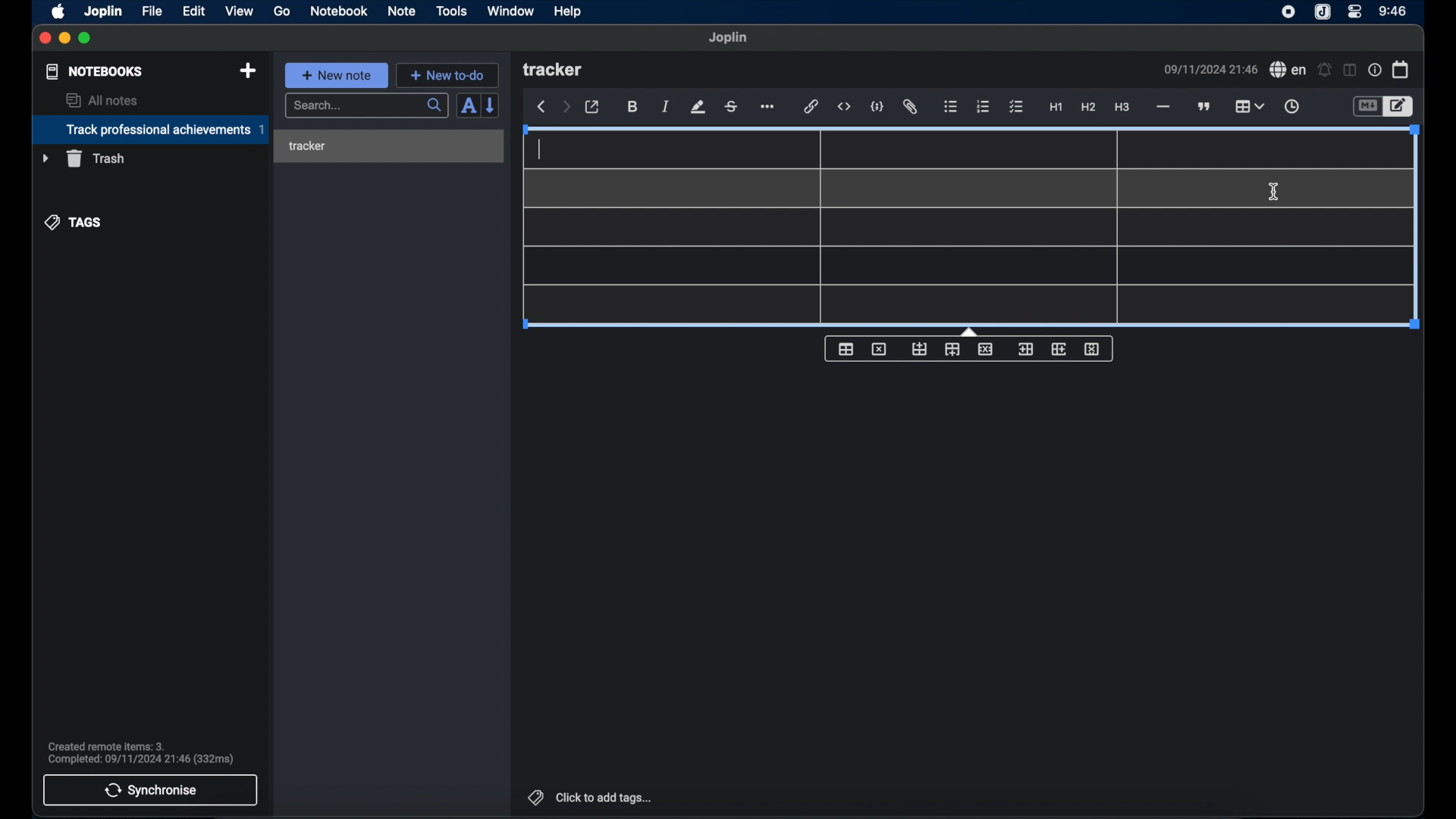 This screenshot has width=1456, height=819. I want to click on joplin icon, so click(1288, 13).